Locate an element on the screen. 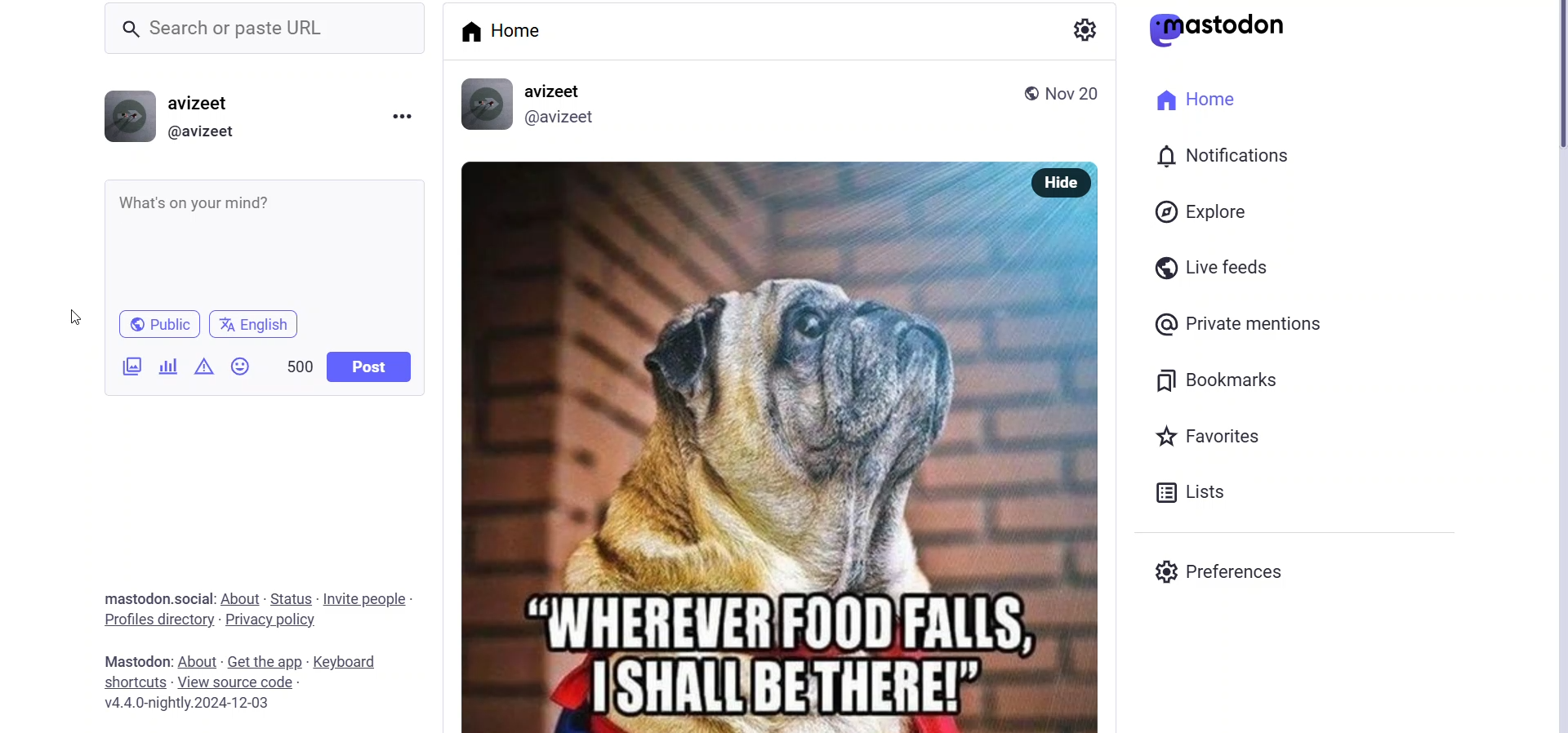 Image resolution: width=1568 pixels, height=733 pixels. Profile Picture is located at coordinates (488, 104).